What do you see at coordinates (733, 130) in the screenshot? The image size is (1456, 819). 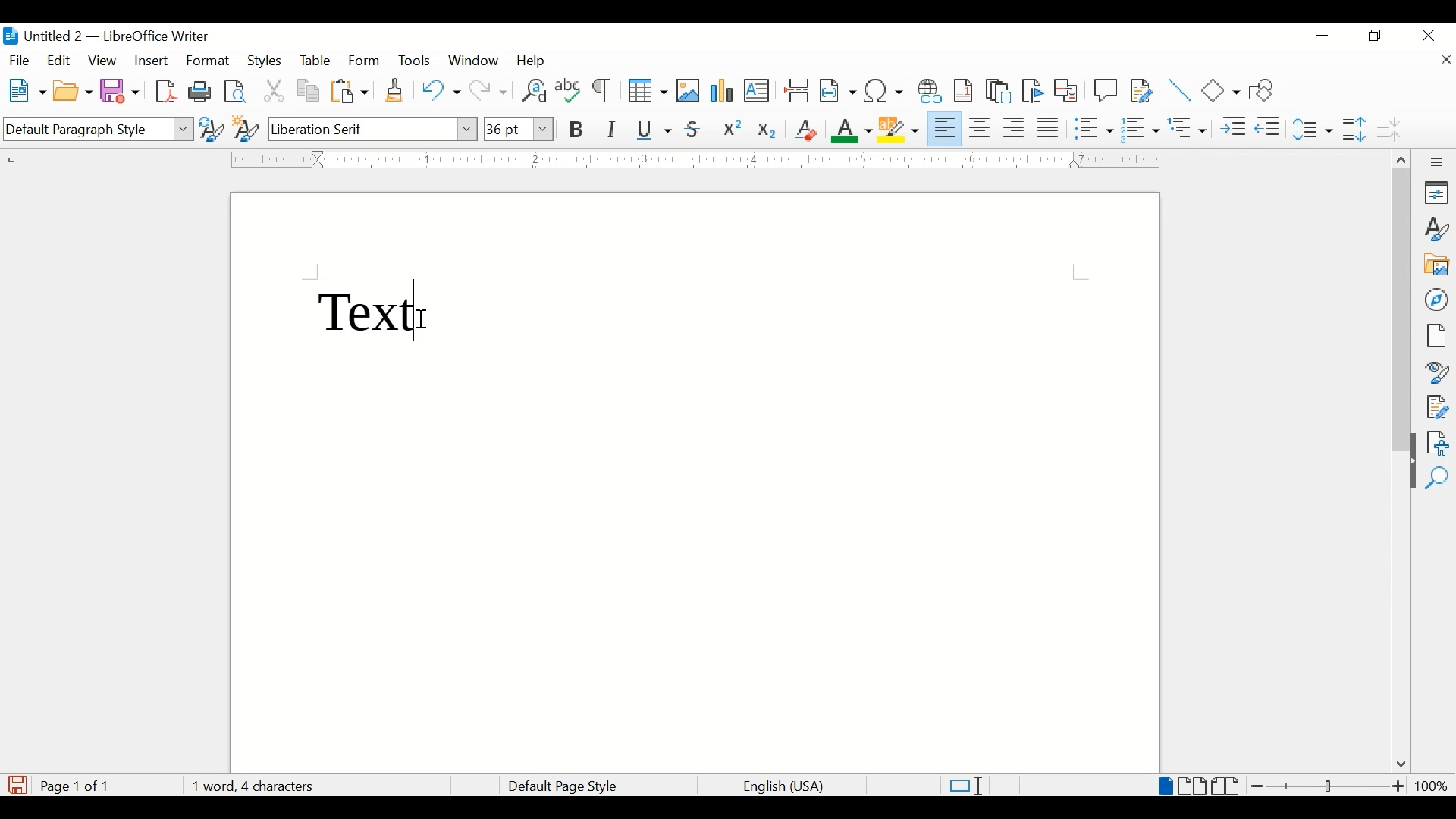 I see `superscript` at bounding box center [733, 130].